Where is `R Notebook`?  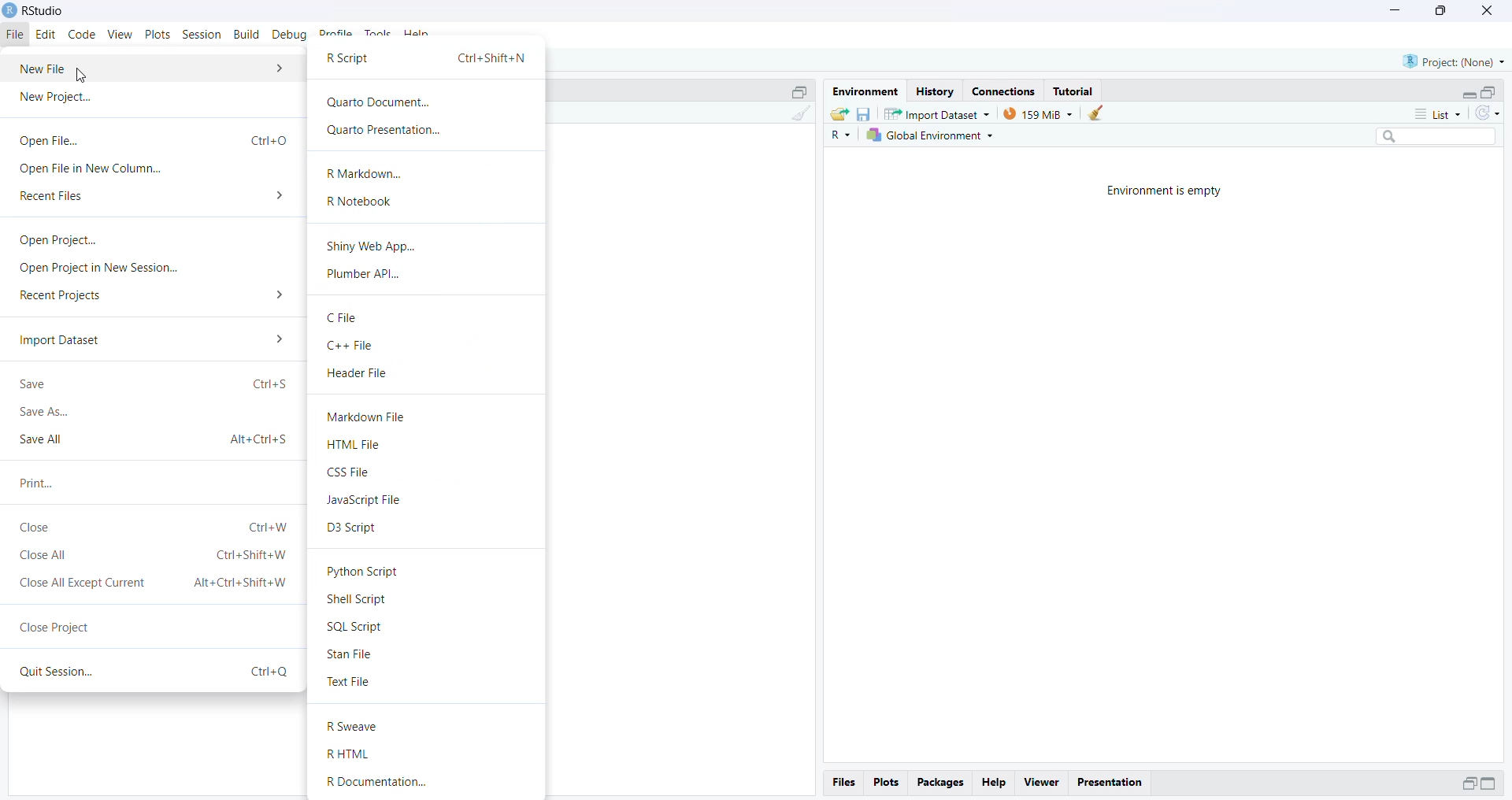 R Notebook is located at coordinates (361, 201).